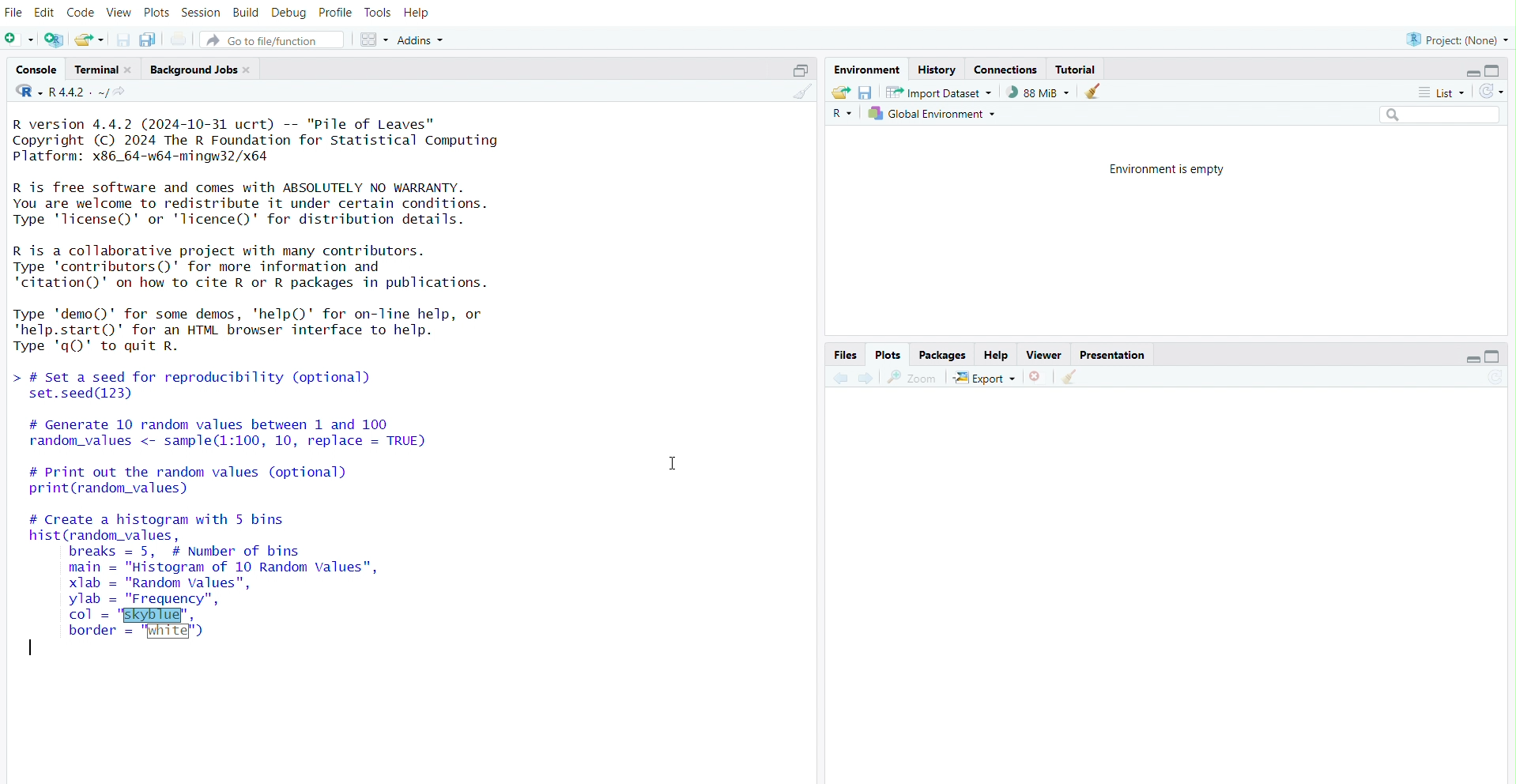  What do you see at coordinates (19, 40) in the screenshot?
I see `new file` at bounding box center [19, 40].